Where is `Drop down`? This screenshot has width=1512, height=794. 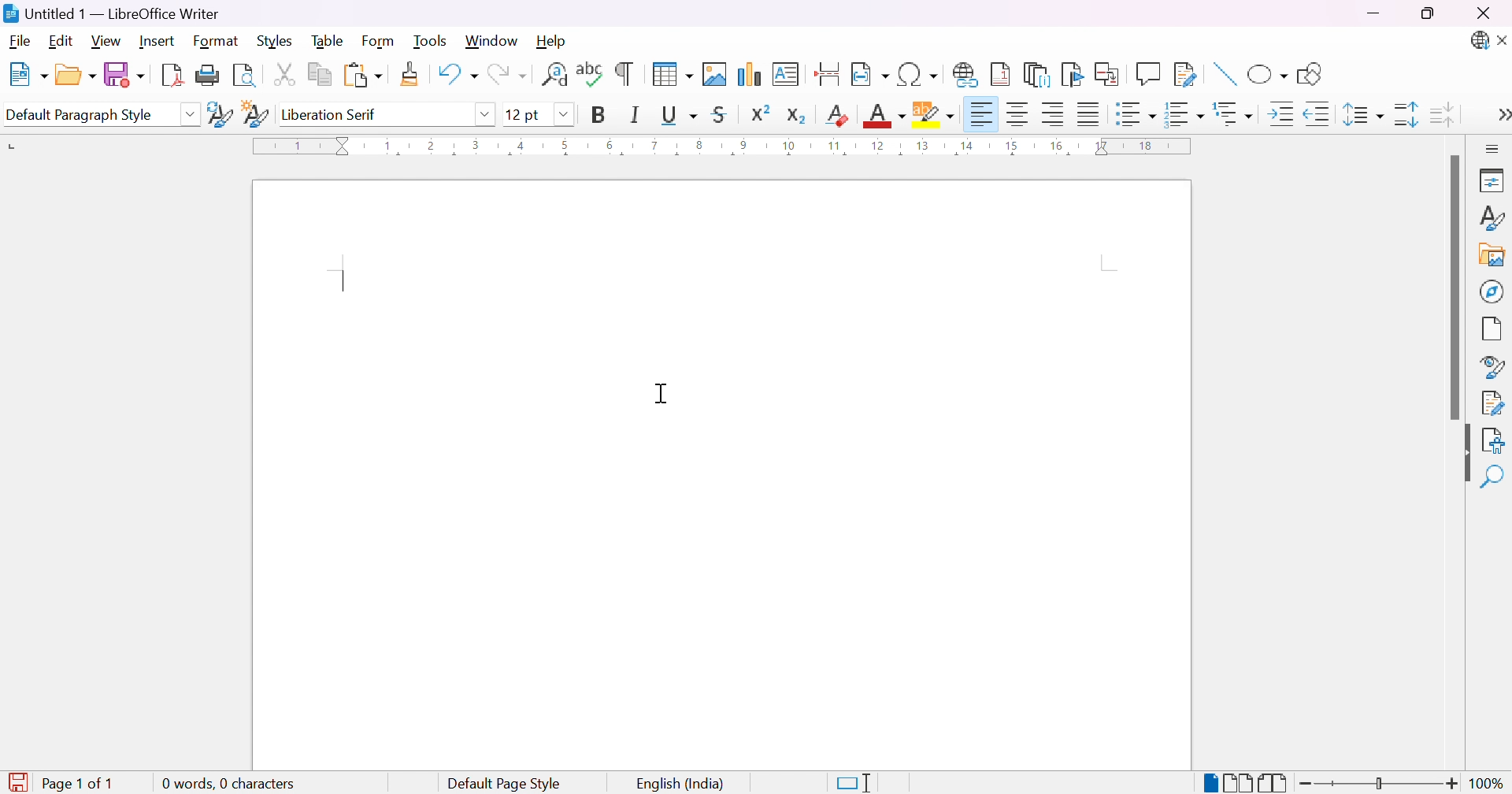
Drop down is located at coordinates (485, 113).